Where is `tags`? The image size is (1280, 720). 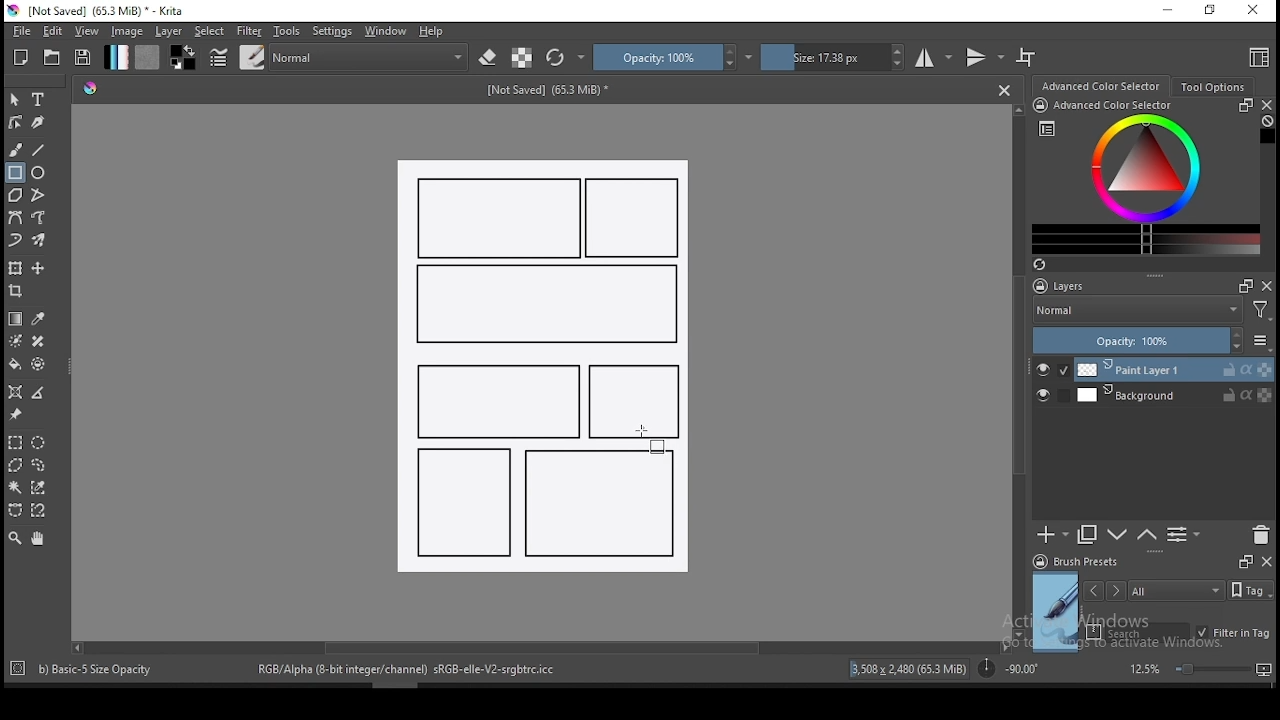
tags is located at coordinates (1176, 590).